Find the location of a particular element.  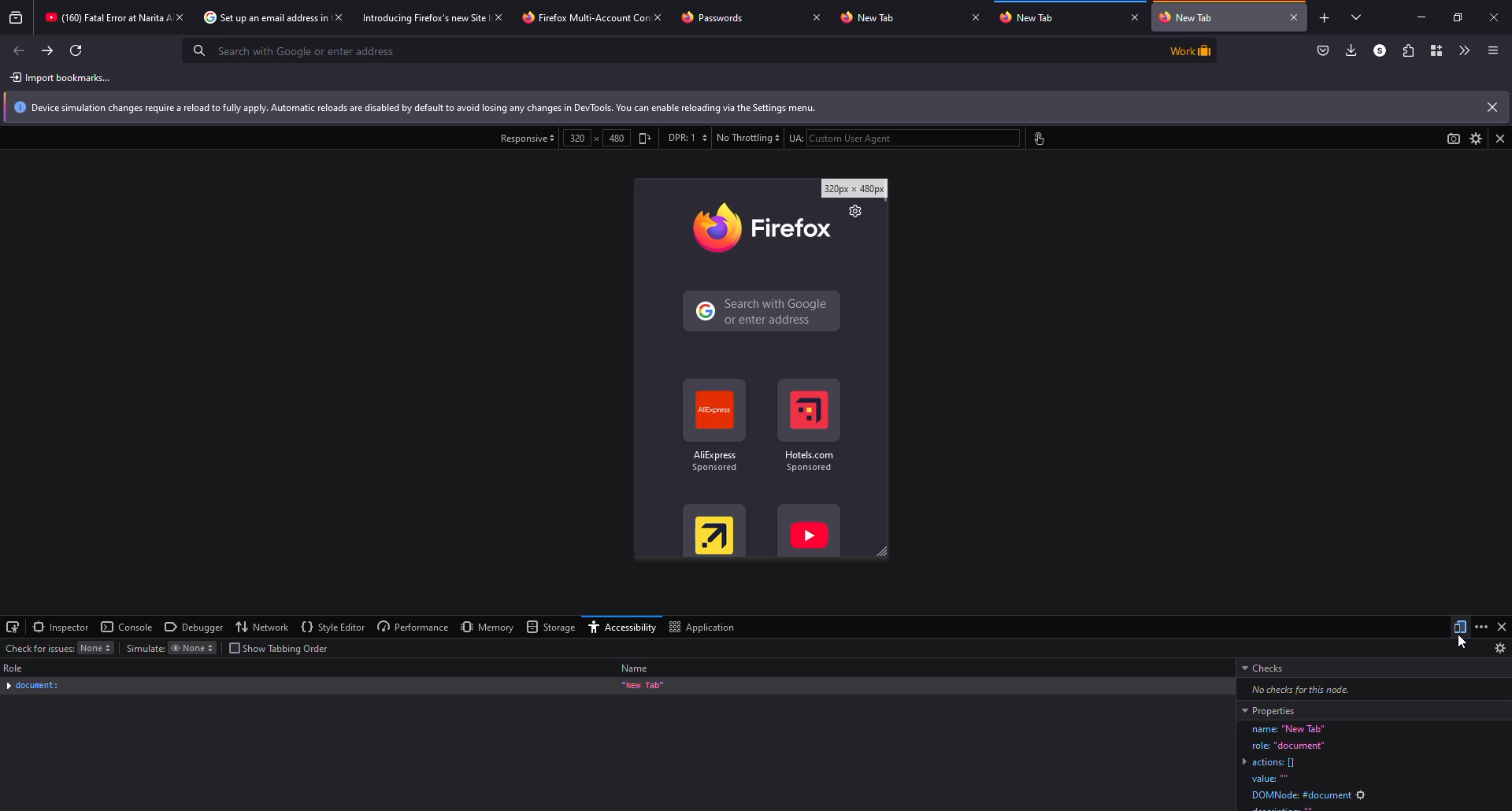

simulate is located at coordinates (145, 647).